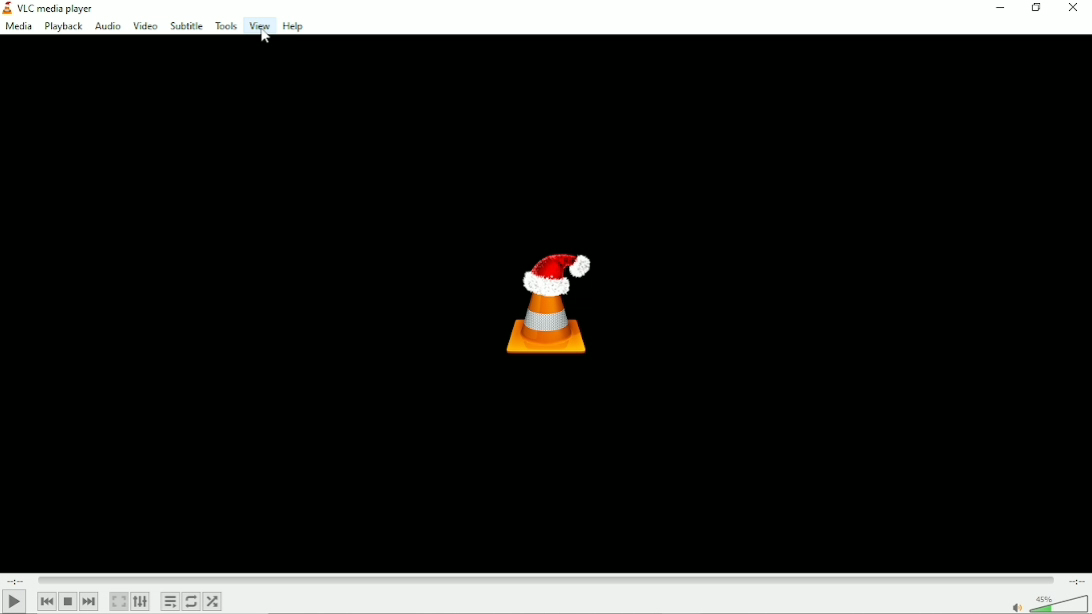 The height and width of the screenshot is (614, 1092). Describe the element at coordinates (552, 305) in the screenshot. I see `Logo` at that location.